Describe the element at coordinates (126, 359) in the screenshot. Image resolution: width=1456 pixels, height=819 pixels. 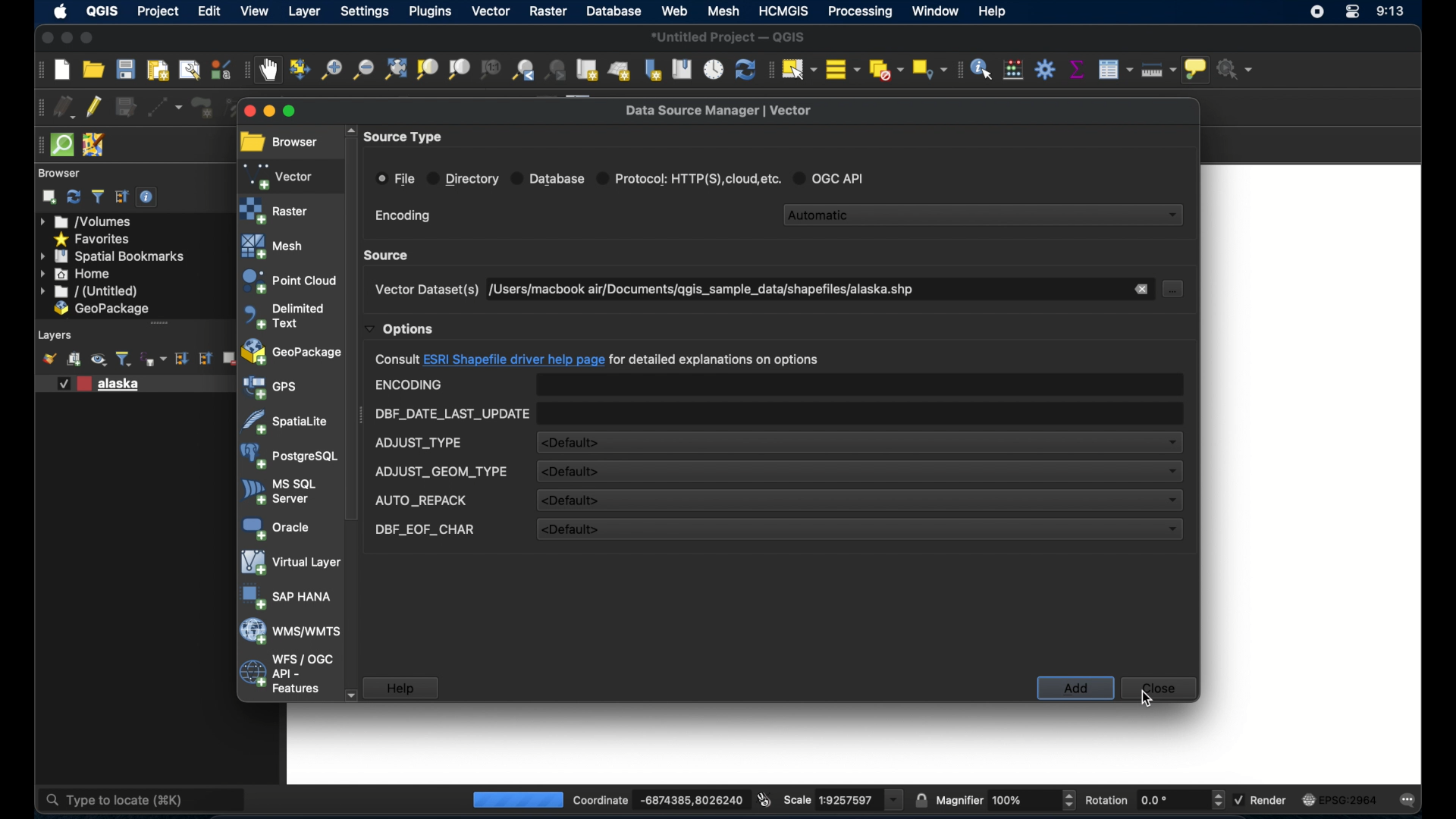
I see `filter legend` at that location.